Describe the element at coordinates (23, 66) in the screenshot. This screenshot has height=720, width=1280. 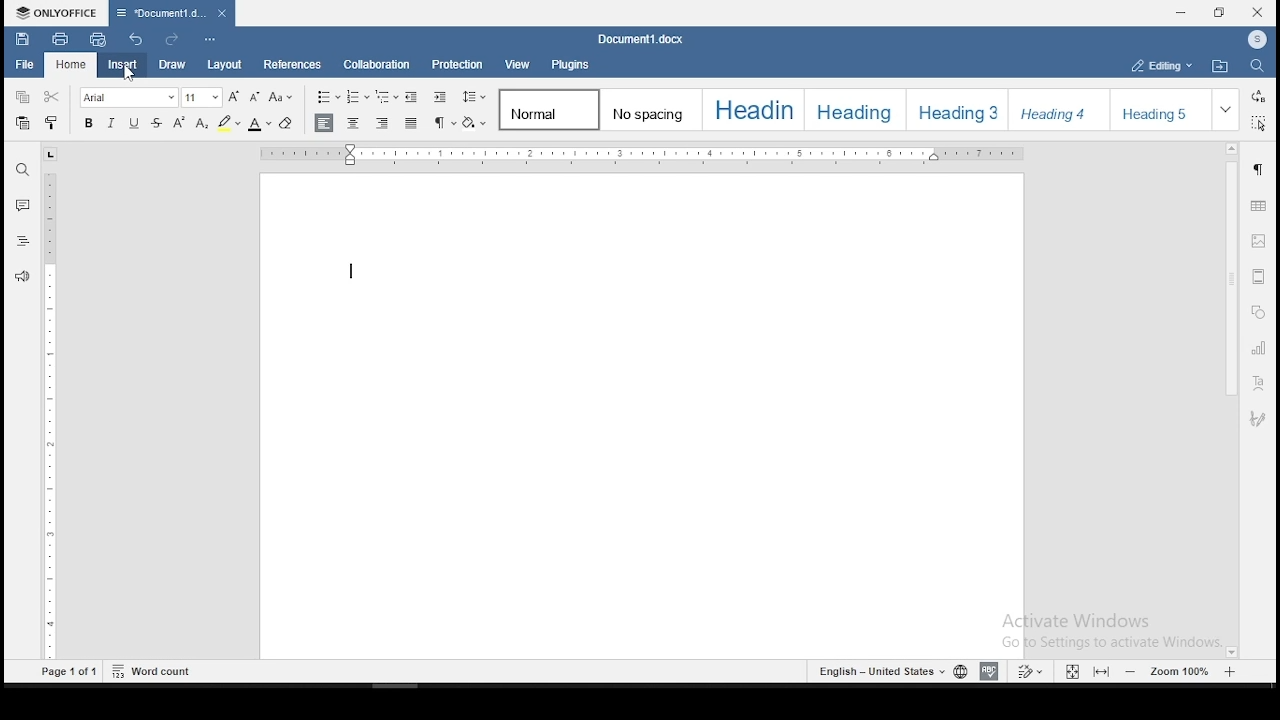
I see `file` at that location.